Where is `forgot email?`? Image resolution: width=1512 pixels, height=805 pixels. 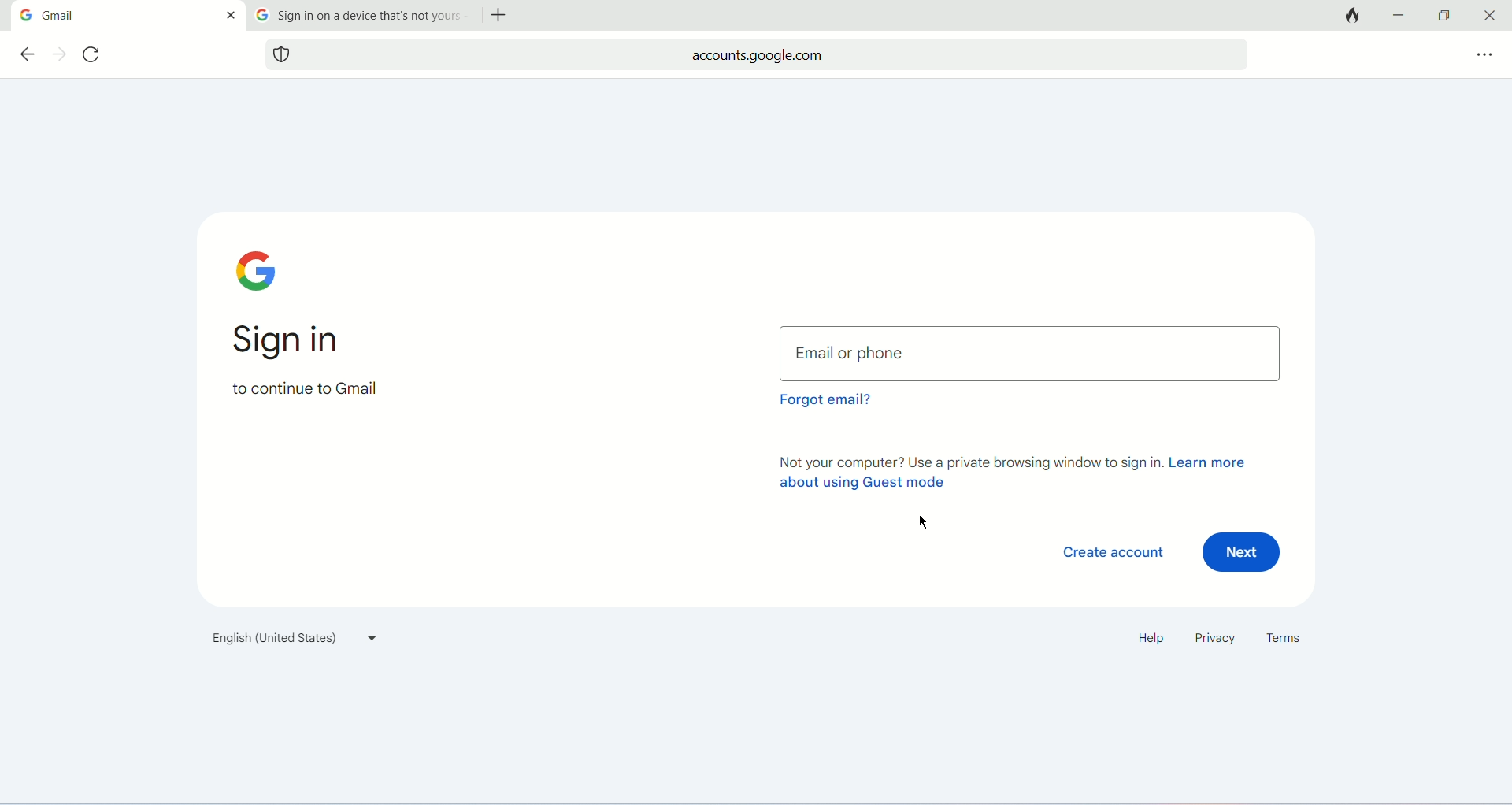
forgot email? is located at coordinates (824, 404).